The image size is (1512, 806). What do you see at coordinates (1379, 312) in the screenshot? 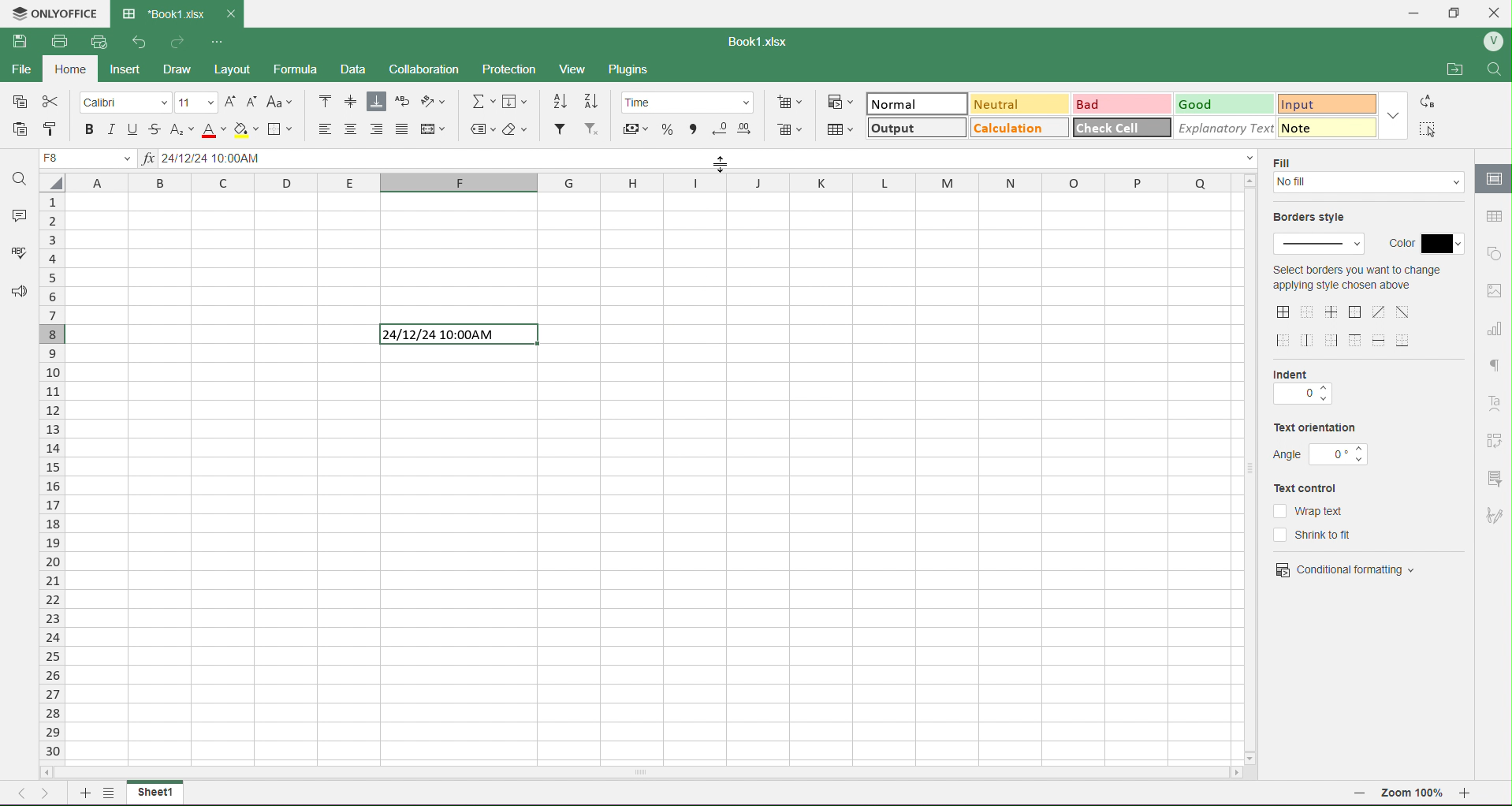
I see `center` at bounding box center [1379, 312].